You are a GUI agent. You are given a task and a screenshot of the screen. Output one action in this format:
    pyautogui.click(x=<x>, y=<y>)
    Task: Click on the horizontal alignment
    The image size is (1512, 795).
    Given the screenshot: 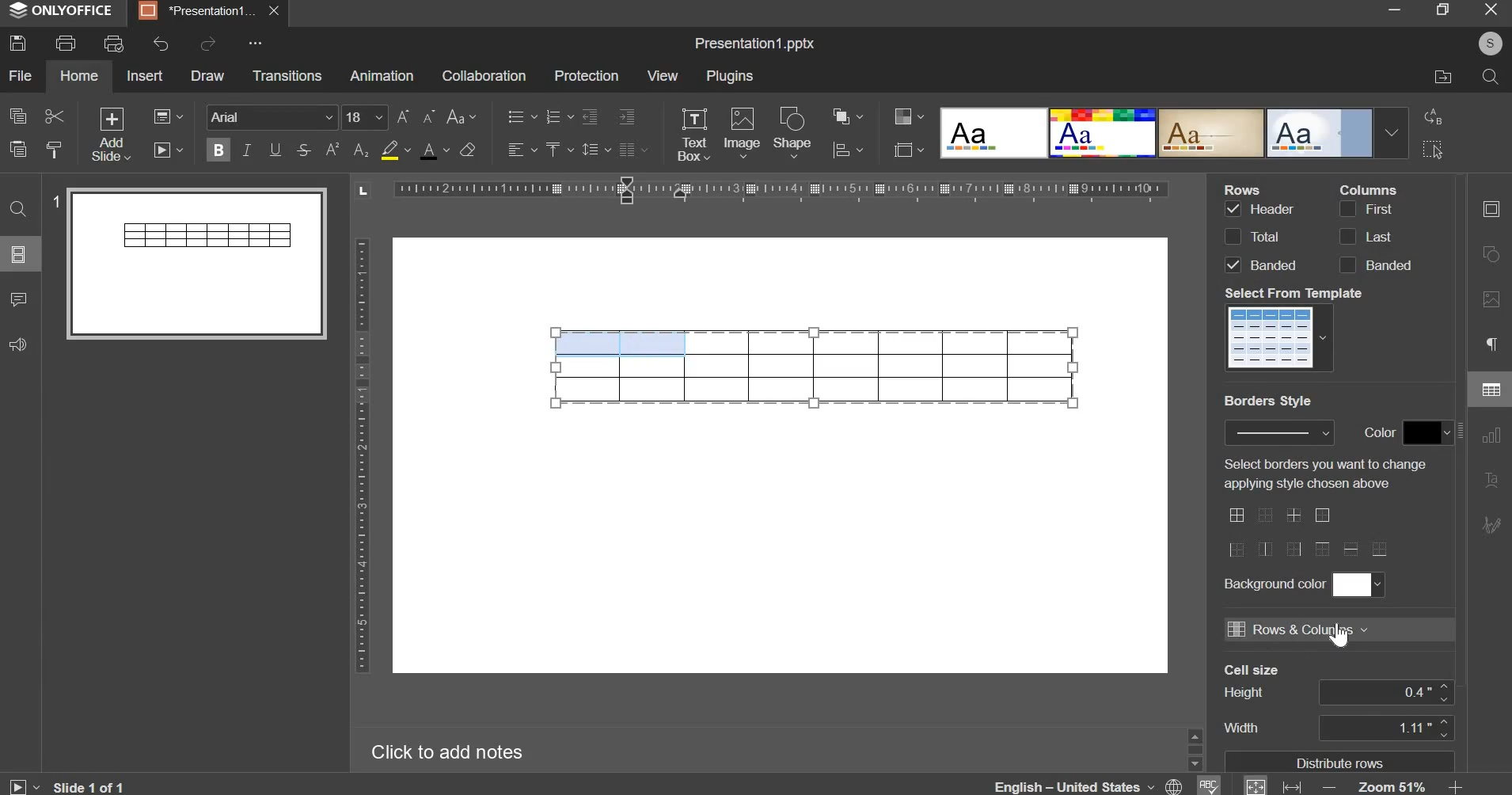 What is the action you would take?
    pyautogui.click(x=521, y=150)
    